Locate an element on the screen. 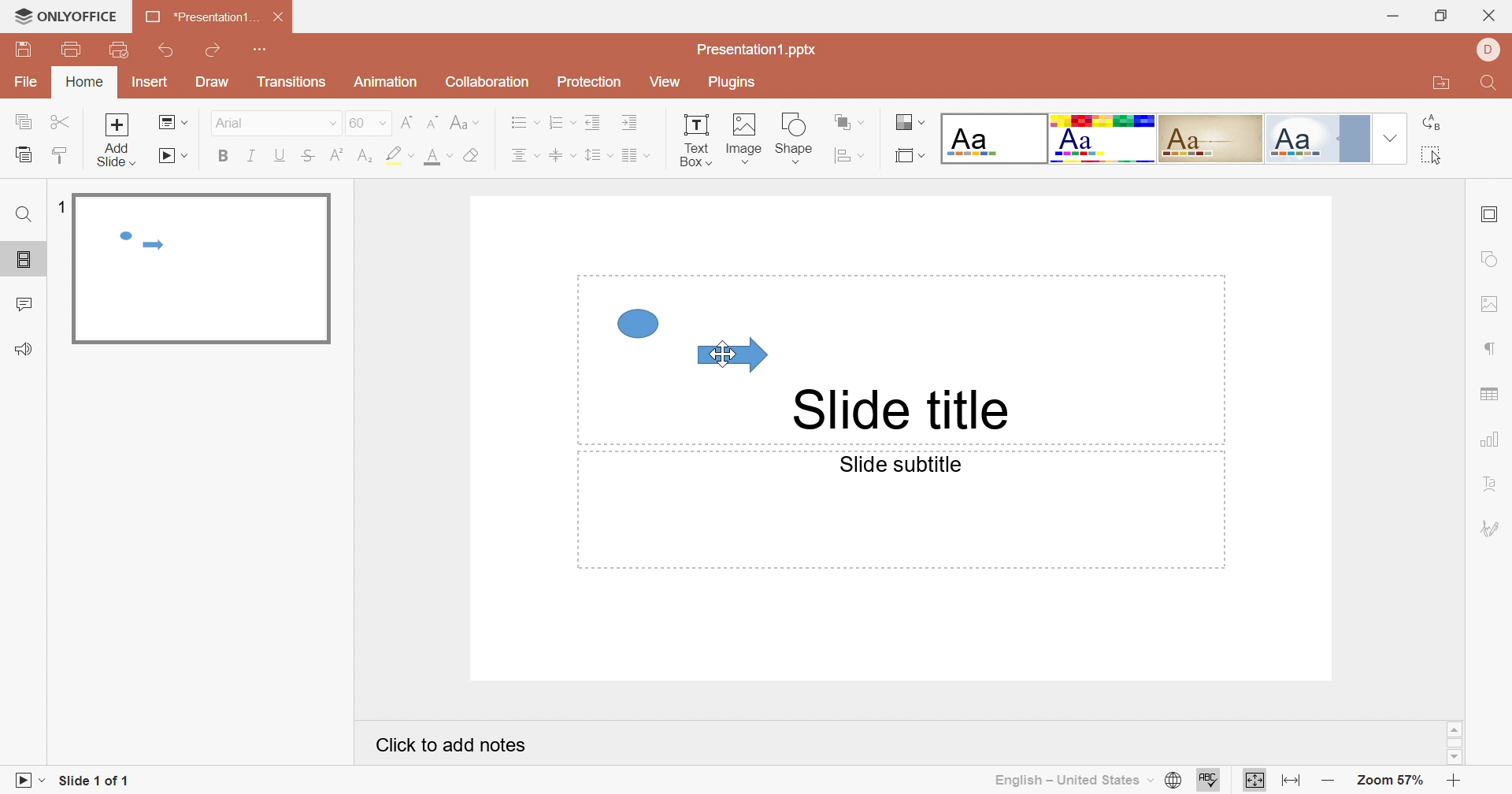 Image resolution: width=1512 pixels, height=794 pixels. Font color is located at coordinates (438, 157).